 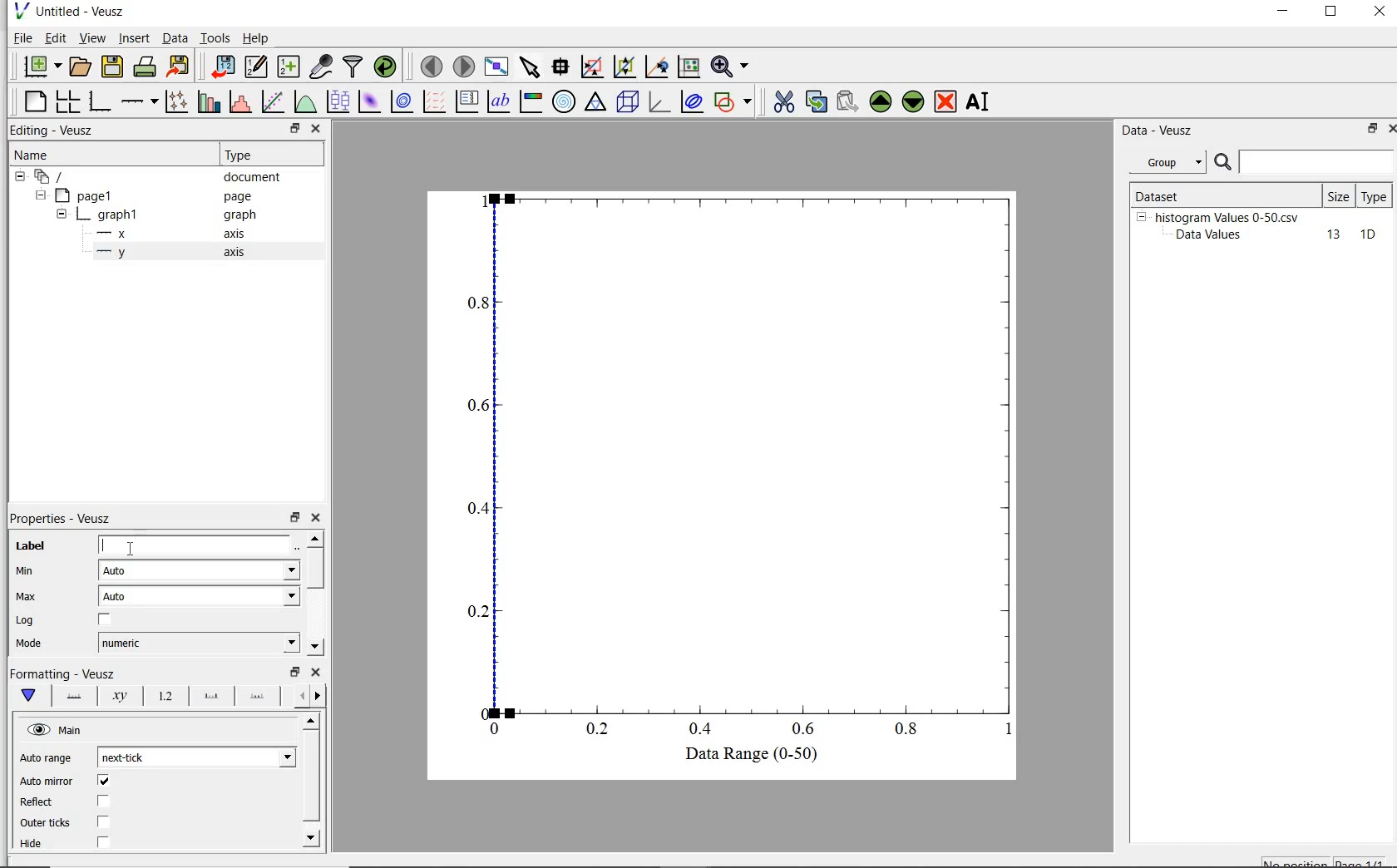 What do you see at coordinates (847, 103) in the screenshot?
I see `paste the selected widget` at bounding box center [847, 103].